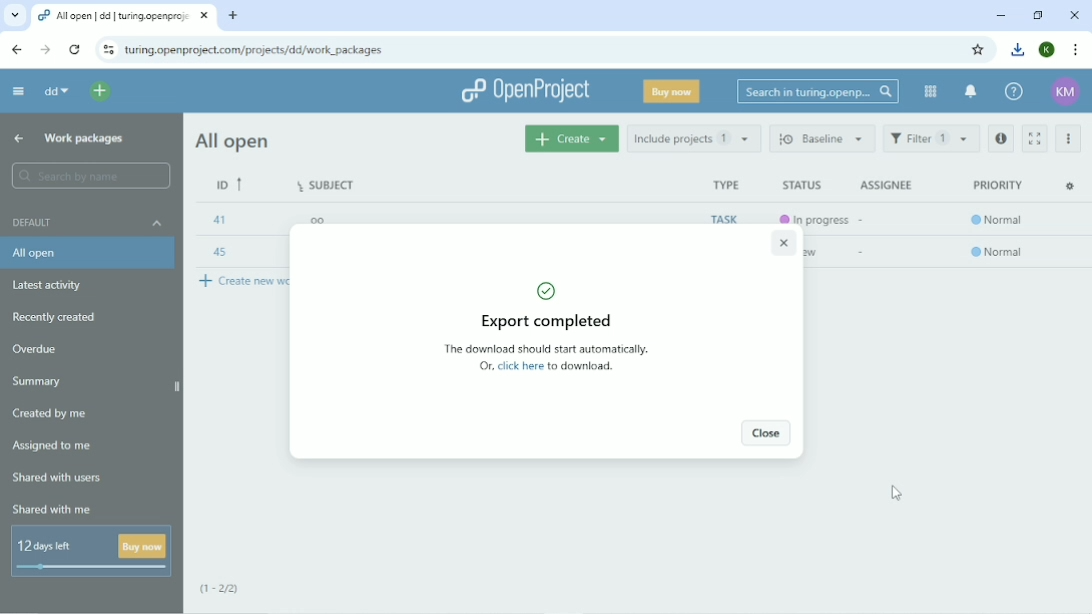 This screenshot has width=1092, height=614. I want to click on Include projects 1, so click(695, 138).